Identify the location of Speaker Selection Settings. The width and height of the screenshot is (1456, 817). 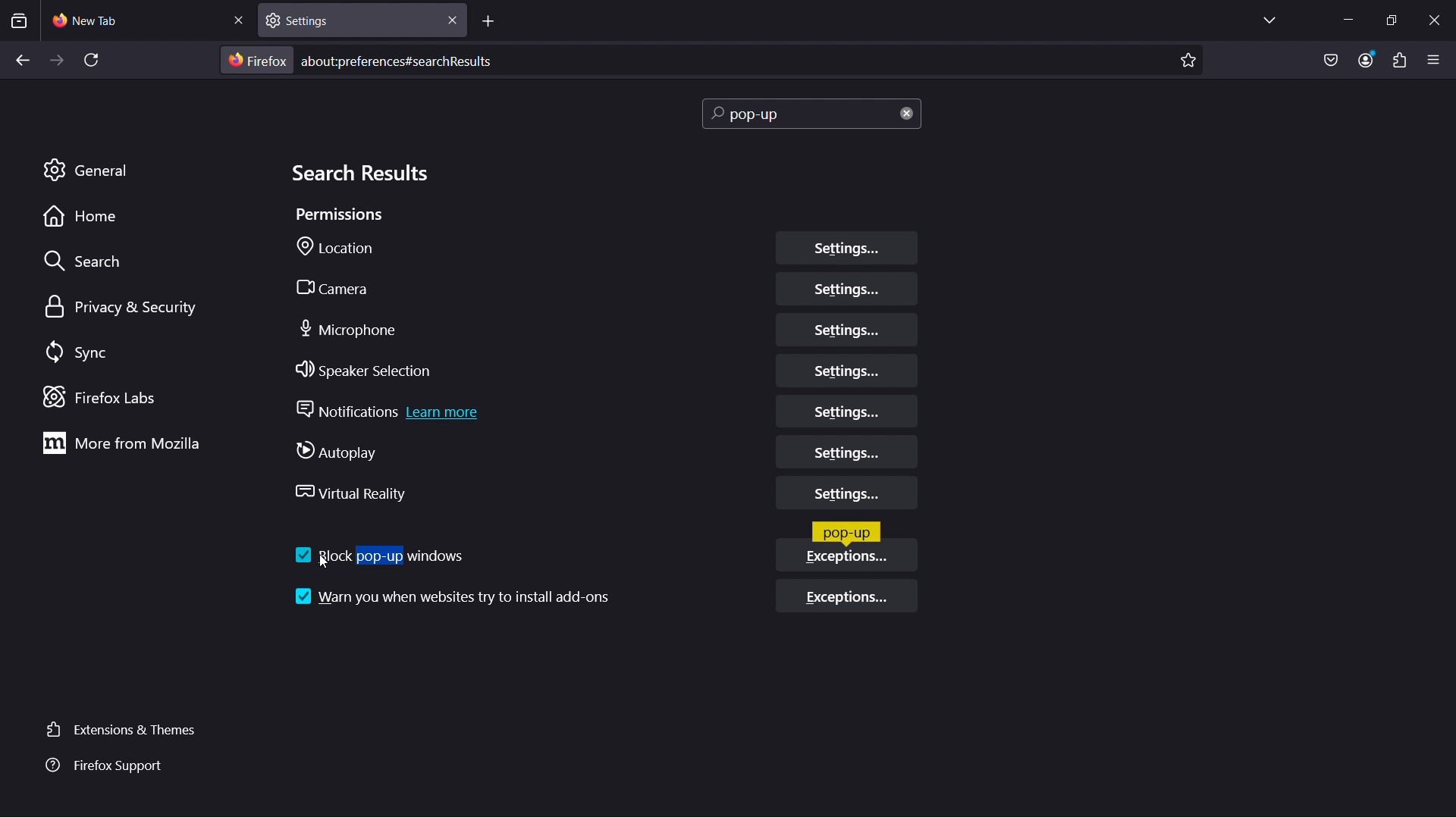
(846, 370).